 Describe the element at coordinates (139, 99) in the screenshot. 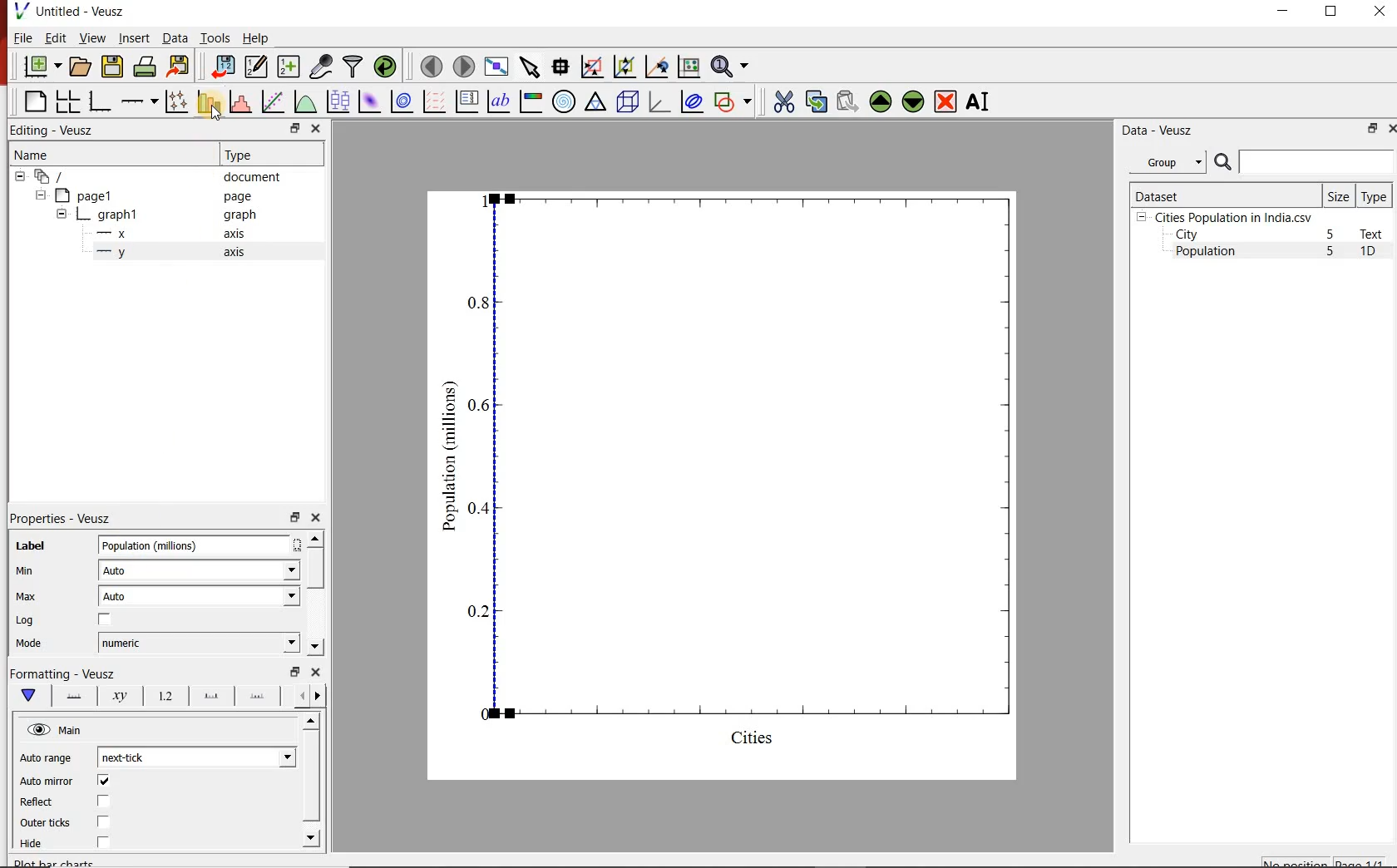

I see `Add an axis to the plot` at that location.